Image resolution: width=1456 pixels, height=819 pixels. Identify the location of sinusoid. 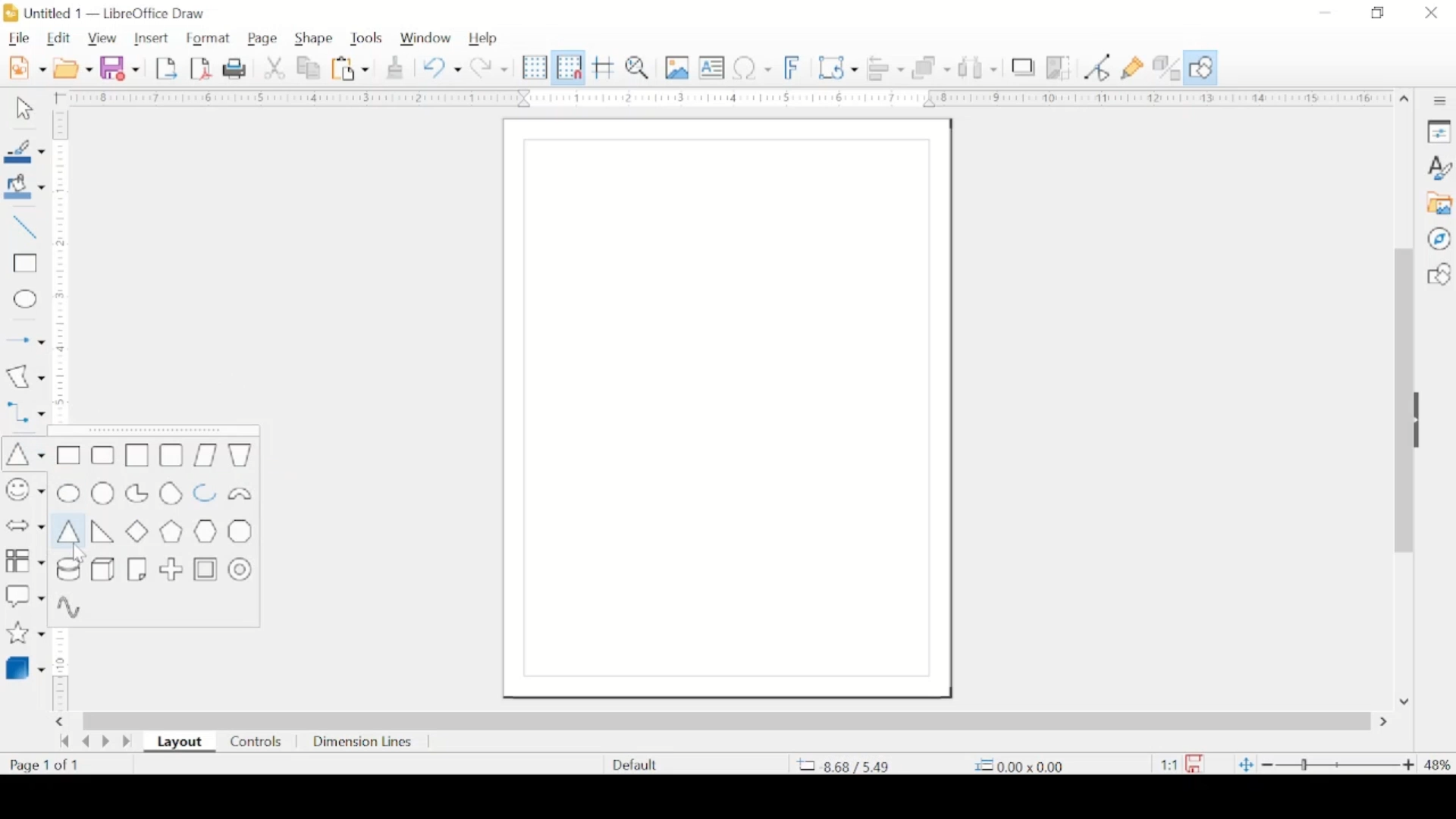
(71, 609).